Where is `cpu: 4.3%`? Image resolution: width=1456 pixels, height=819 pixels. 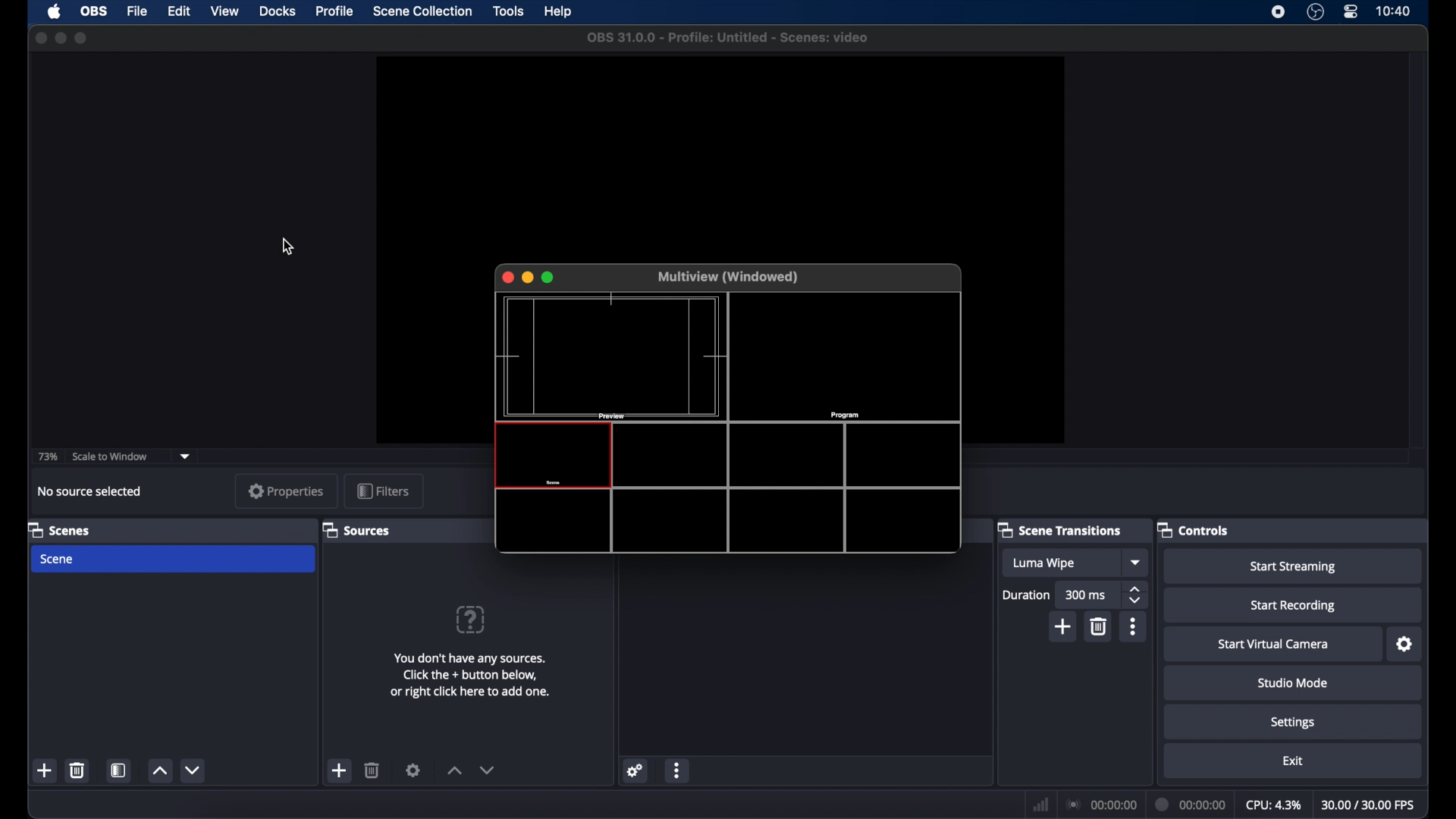
cpu: 4.3% is located at coordinates (1273, 804).